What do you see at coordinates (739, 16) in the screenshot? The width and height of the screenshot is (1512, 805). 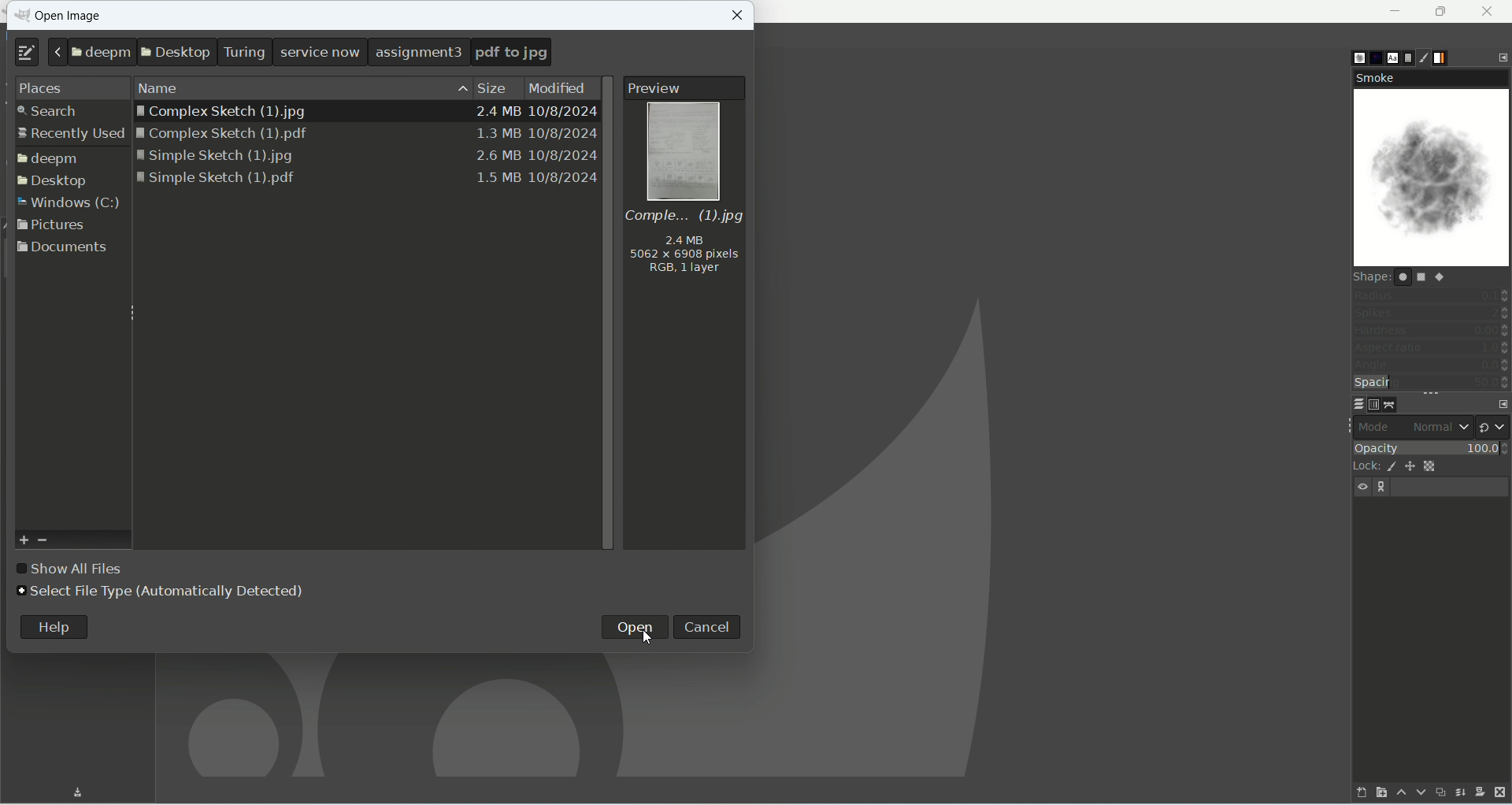 I see `close` at bounding box center [739, 16].